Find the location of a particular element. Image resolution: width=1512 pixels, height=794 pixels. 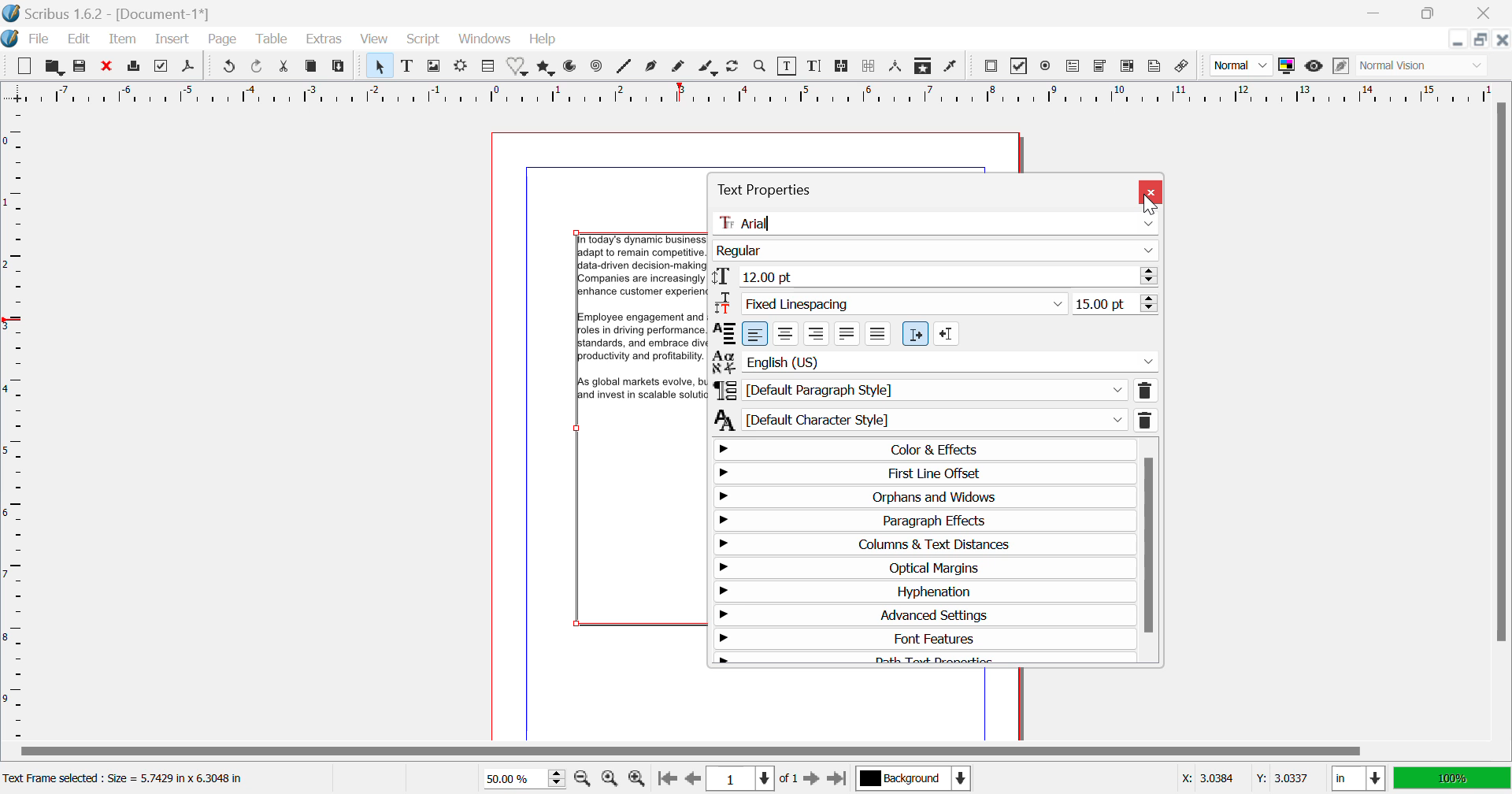

Minimize is located at coordinates (1480, 40).